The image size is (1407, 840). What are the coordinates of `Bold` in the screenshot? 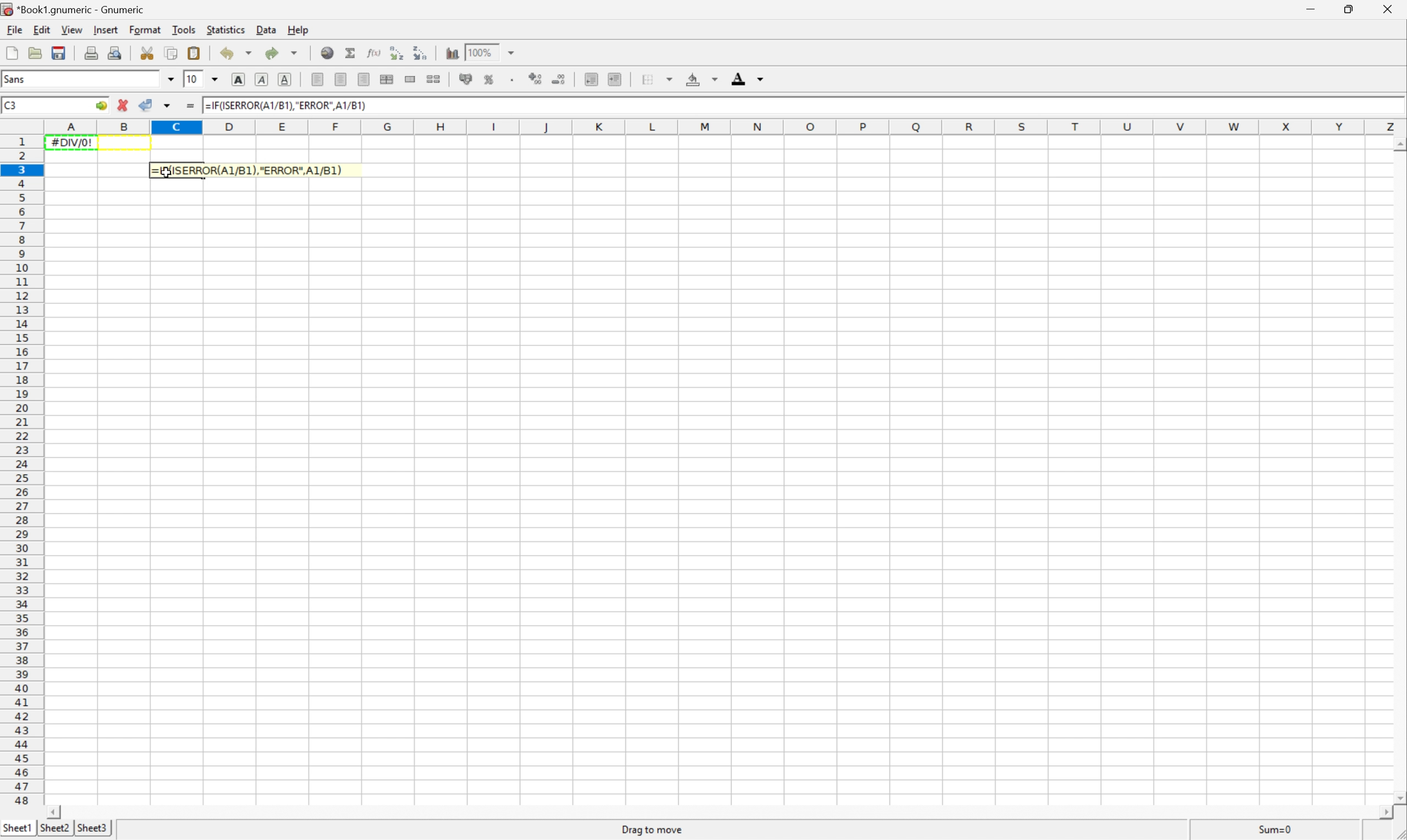 It's located at (238, 79).